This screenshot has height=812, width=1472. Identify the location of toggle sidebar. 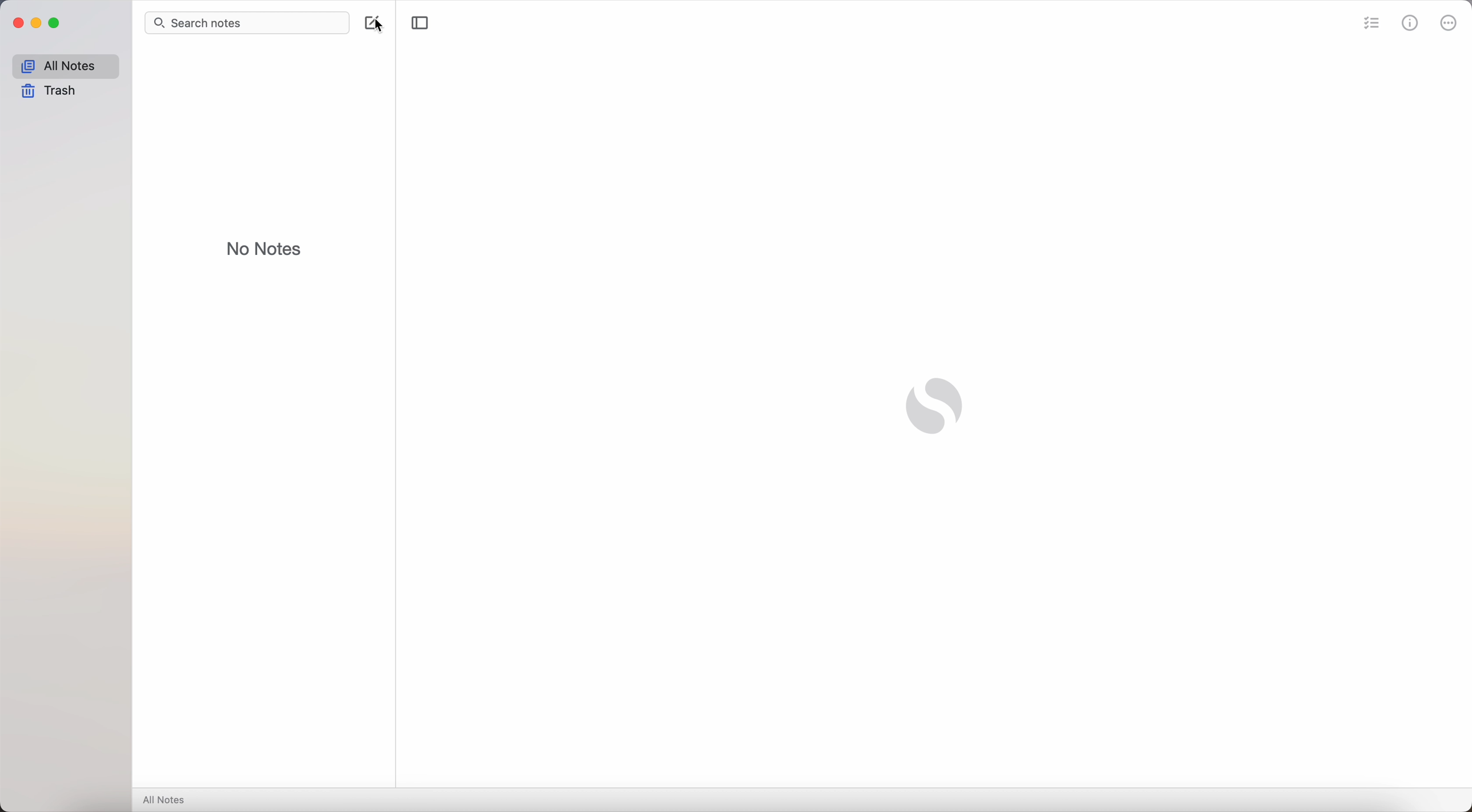
(421, 23).